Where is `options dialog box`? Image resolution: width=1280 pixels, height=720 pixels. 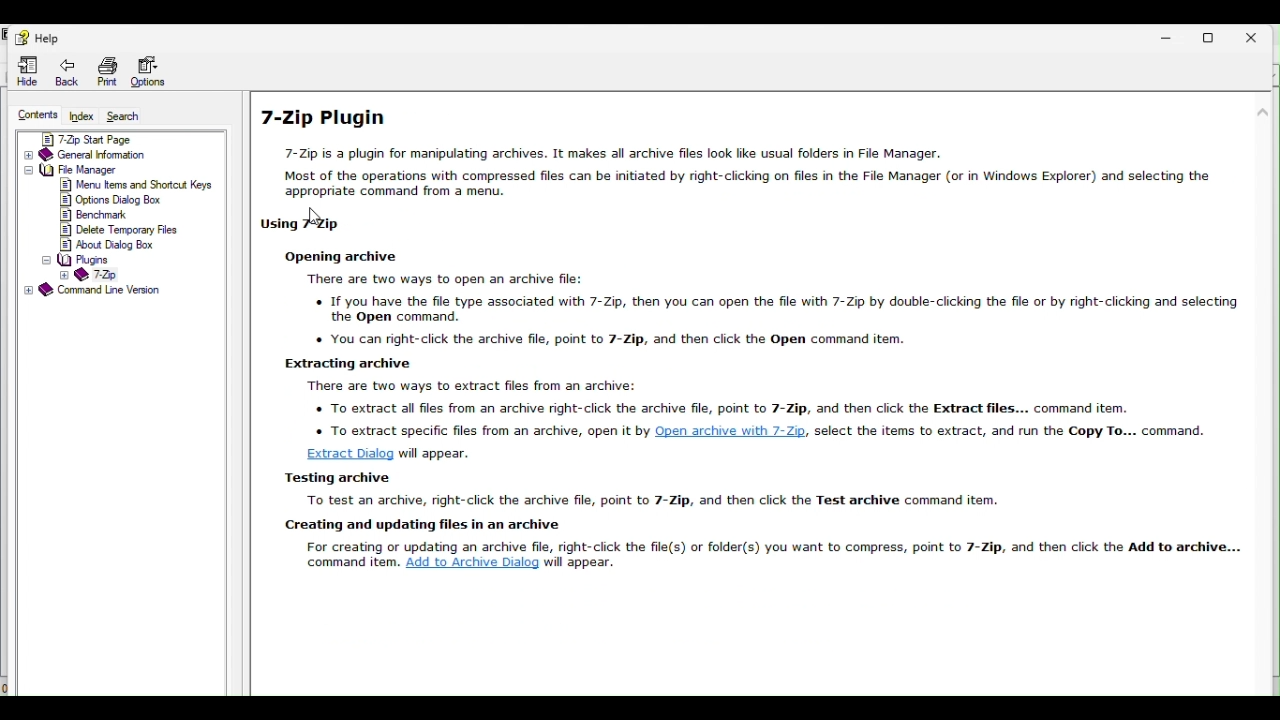 options dialog box is located at coordinates (131, 200).